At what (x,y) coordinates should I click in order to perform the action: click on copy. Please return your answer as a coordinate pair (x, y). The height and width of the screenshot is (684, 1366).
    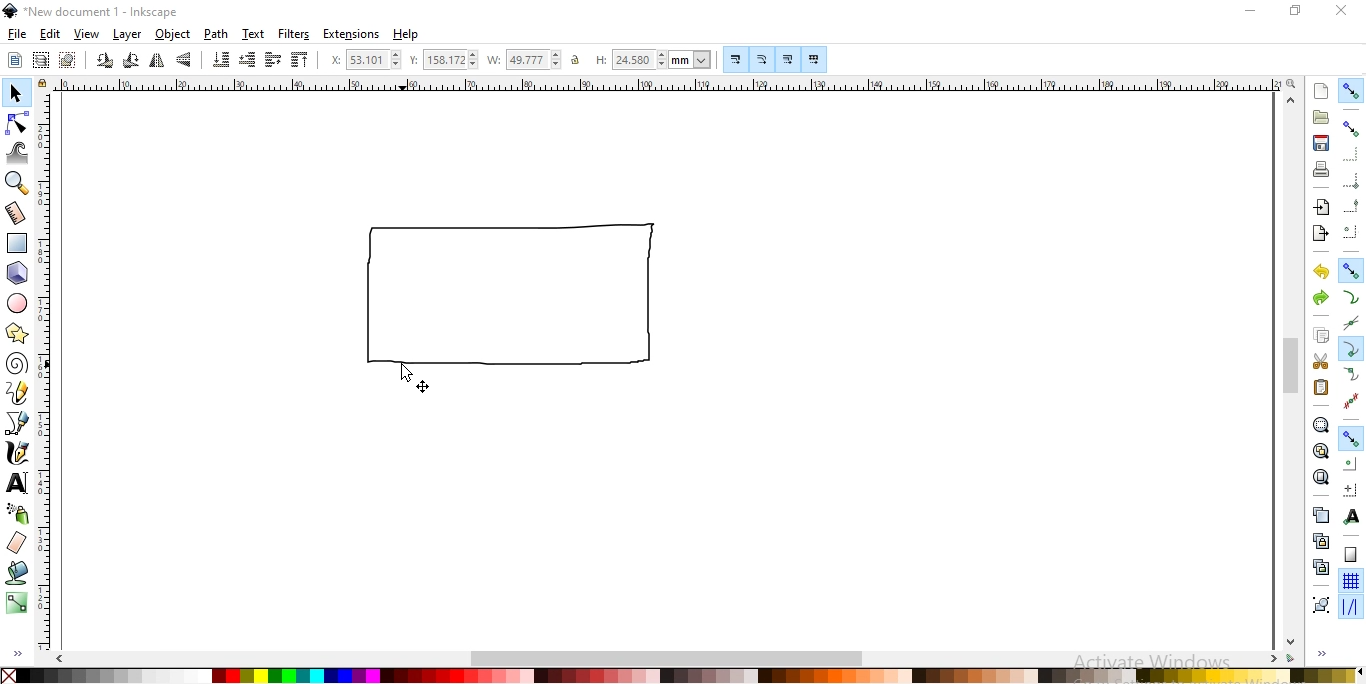
    Looking at the image, I should click on (1322, 336).